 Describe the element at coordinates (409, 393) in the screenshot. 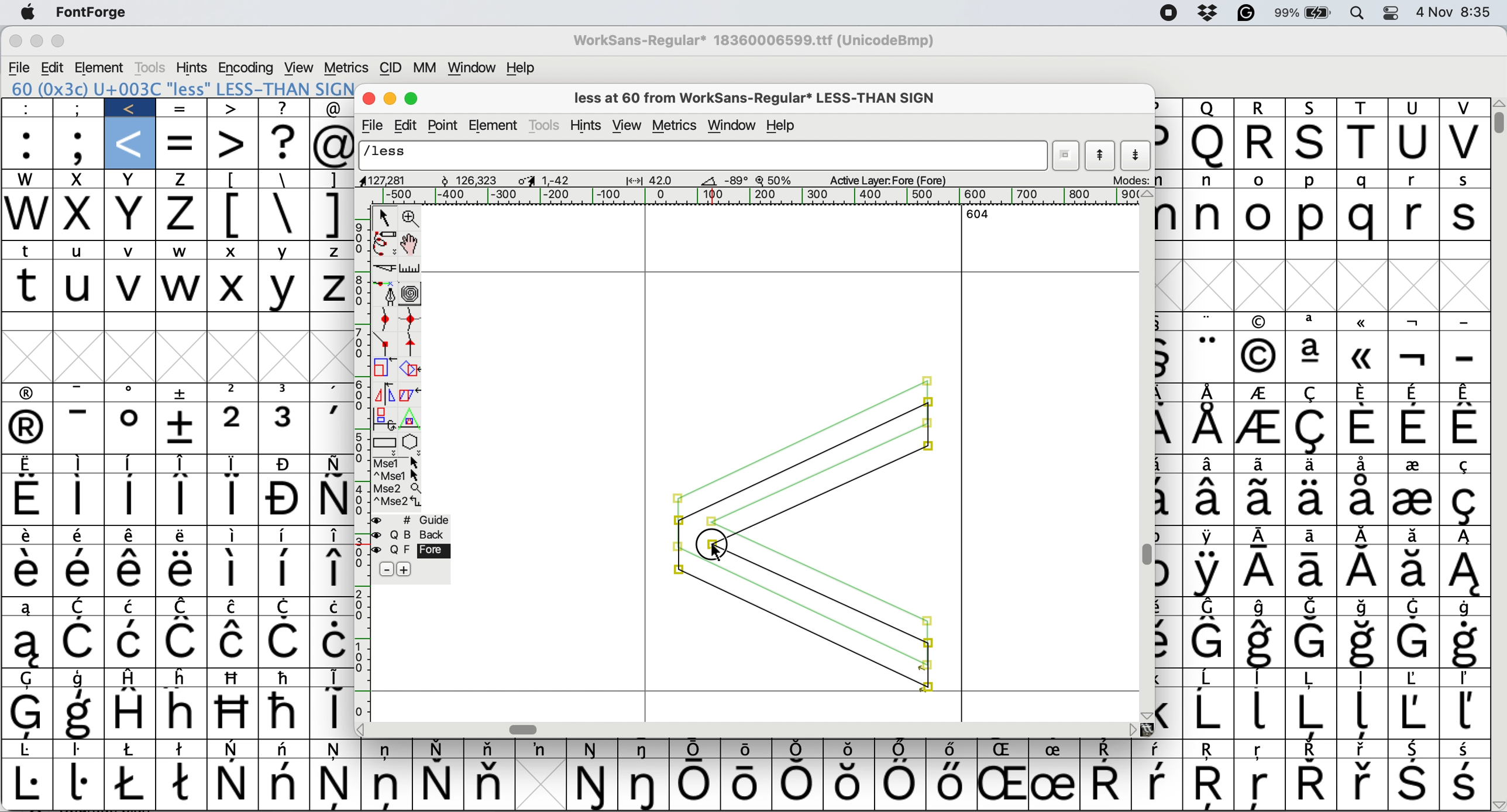

I see `skew the selection` at that location.